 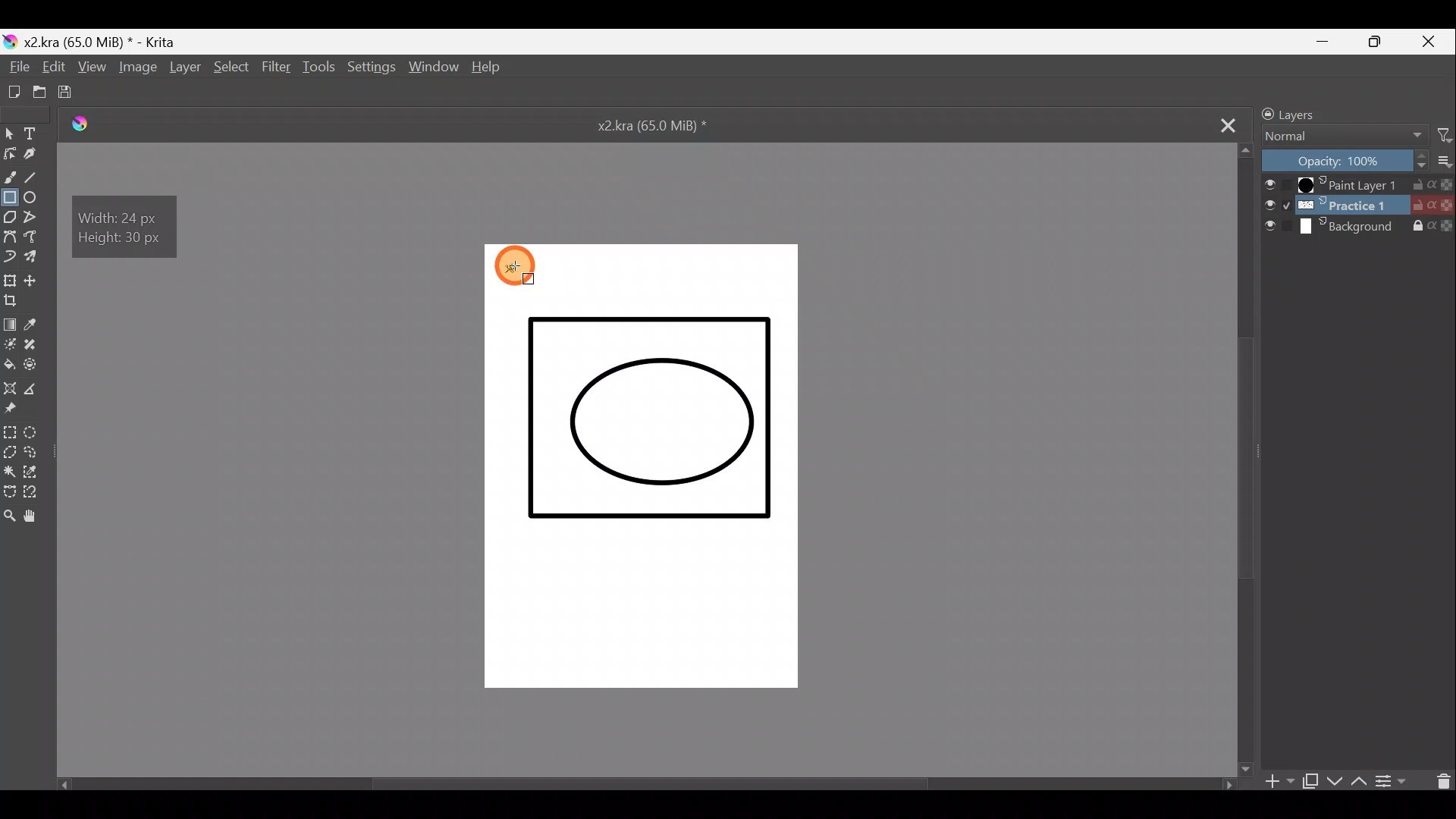 What do you see at coordinates (9, 133) in the screenshot?
I see `Select shapes tool` at bounding box center [9, 133].